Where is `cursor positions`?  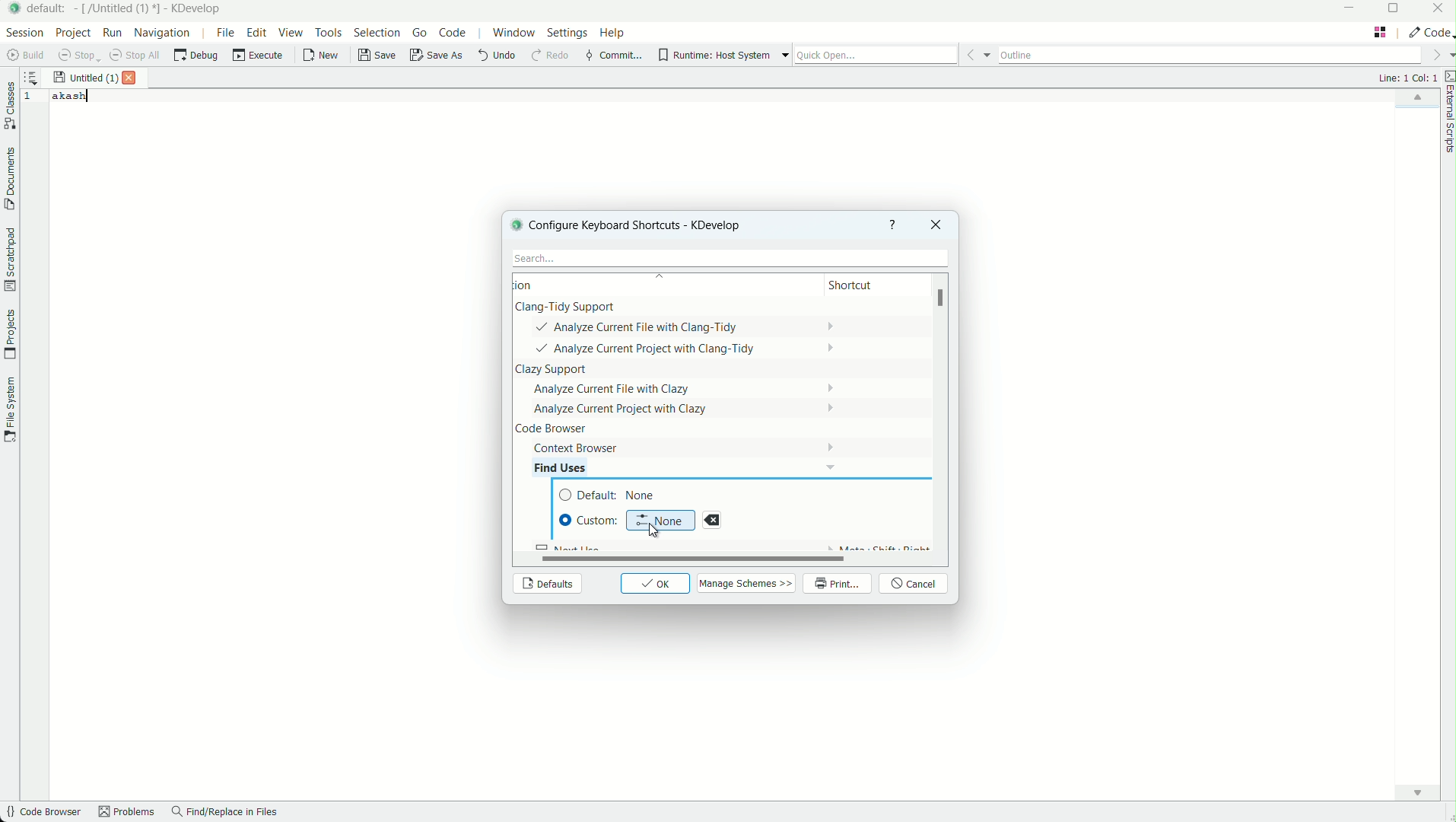
cursor positions is located at coordinates (1407, 78).